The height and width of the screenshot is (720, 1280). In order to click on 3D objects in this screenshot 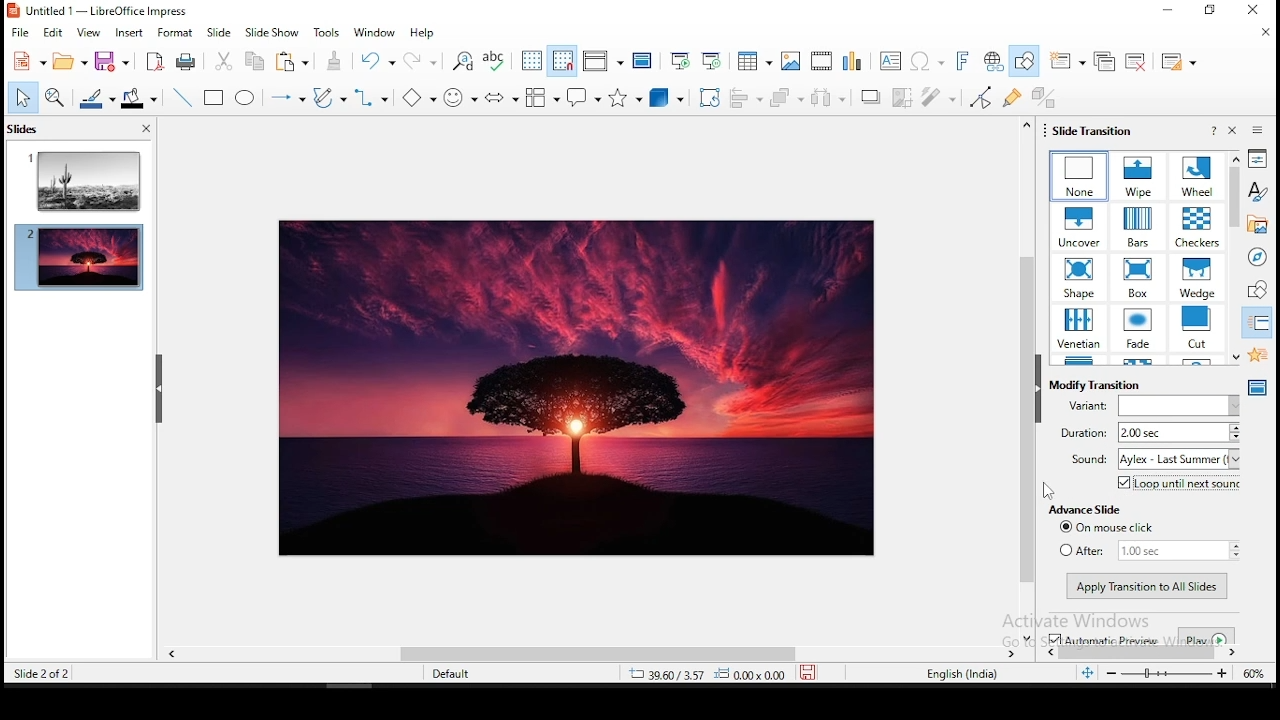, I will do `click(665, 97)`.